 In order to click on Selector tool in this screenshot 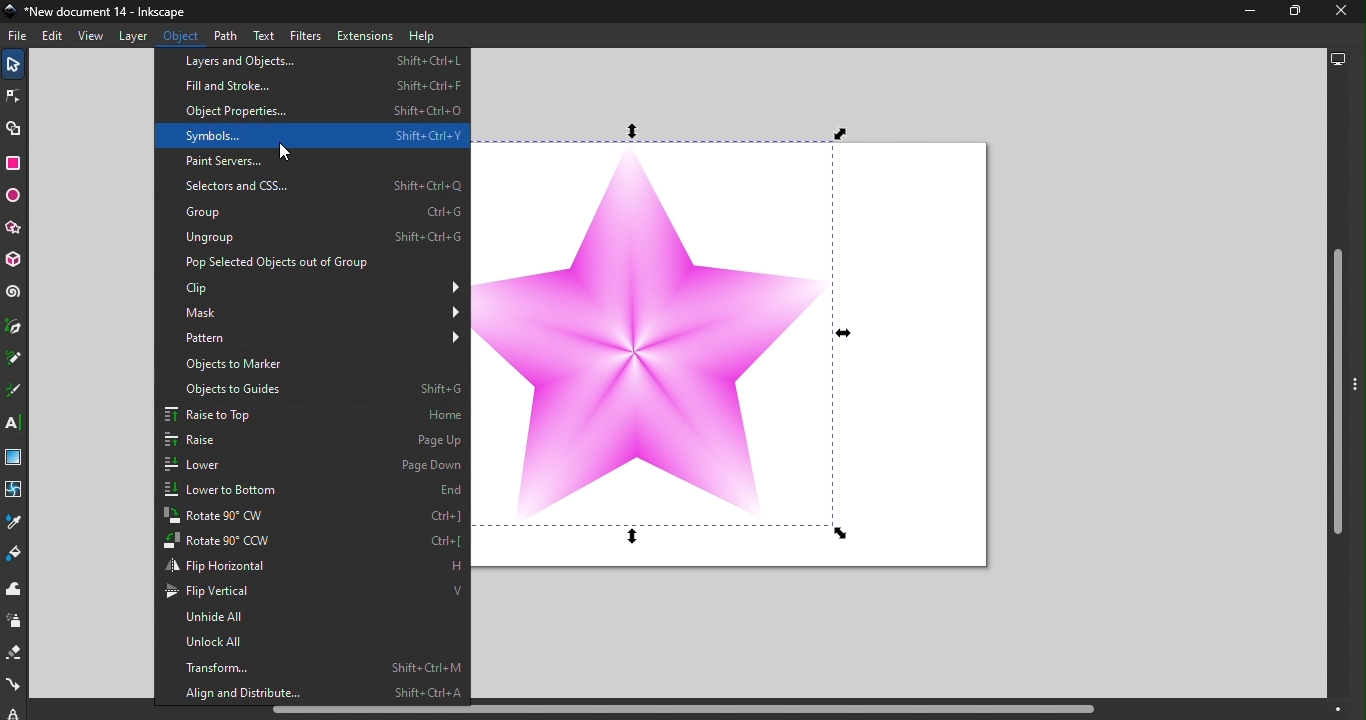, I will do `click(10, 66)`.